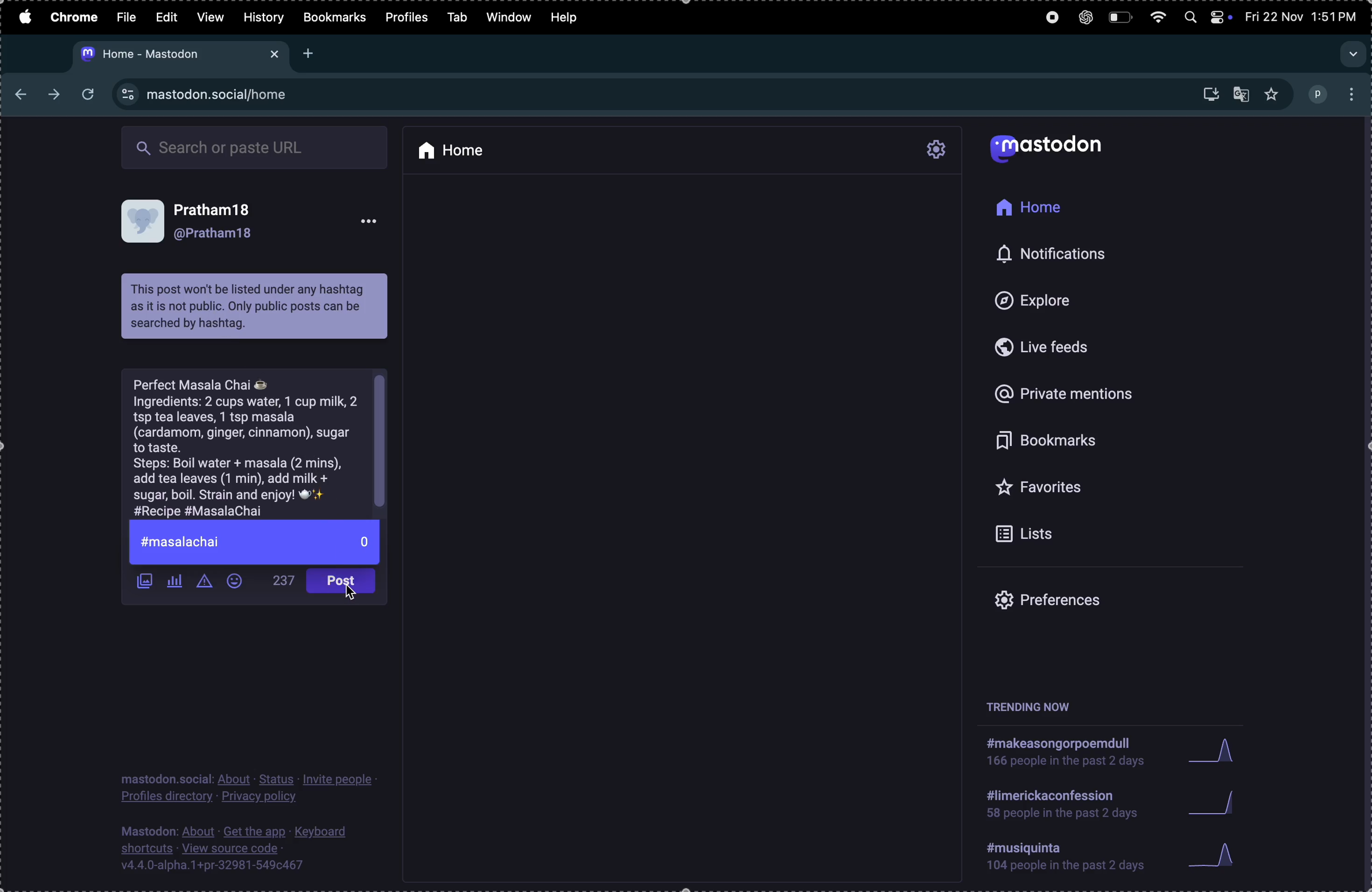  I want to click on help, so click(569, 17).